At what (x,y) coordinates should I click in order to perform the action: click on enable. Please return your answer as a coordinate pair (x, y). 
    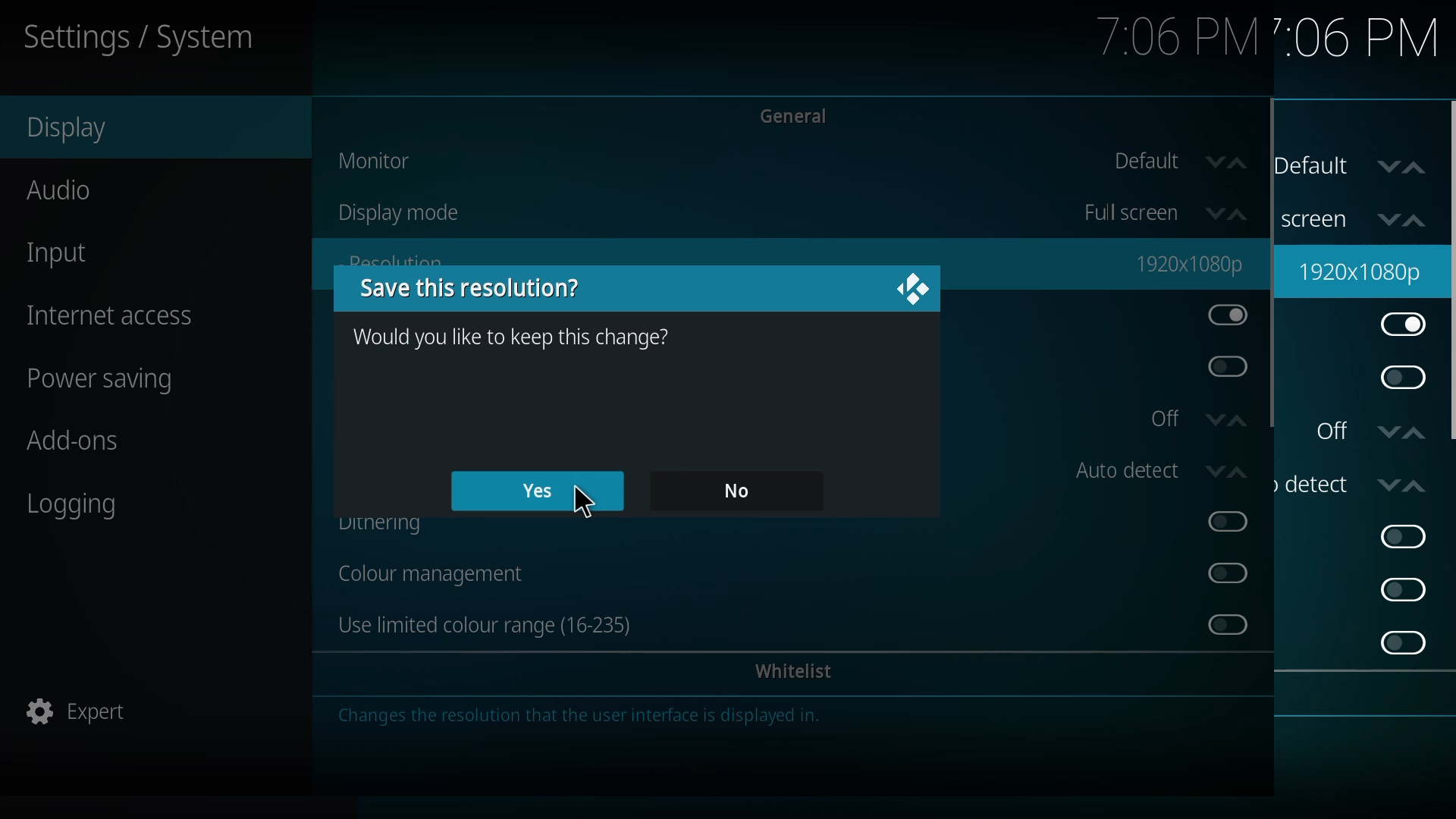
    Looking at the image, I should click on (1404, 642).